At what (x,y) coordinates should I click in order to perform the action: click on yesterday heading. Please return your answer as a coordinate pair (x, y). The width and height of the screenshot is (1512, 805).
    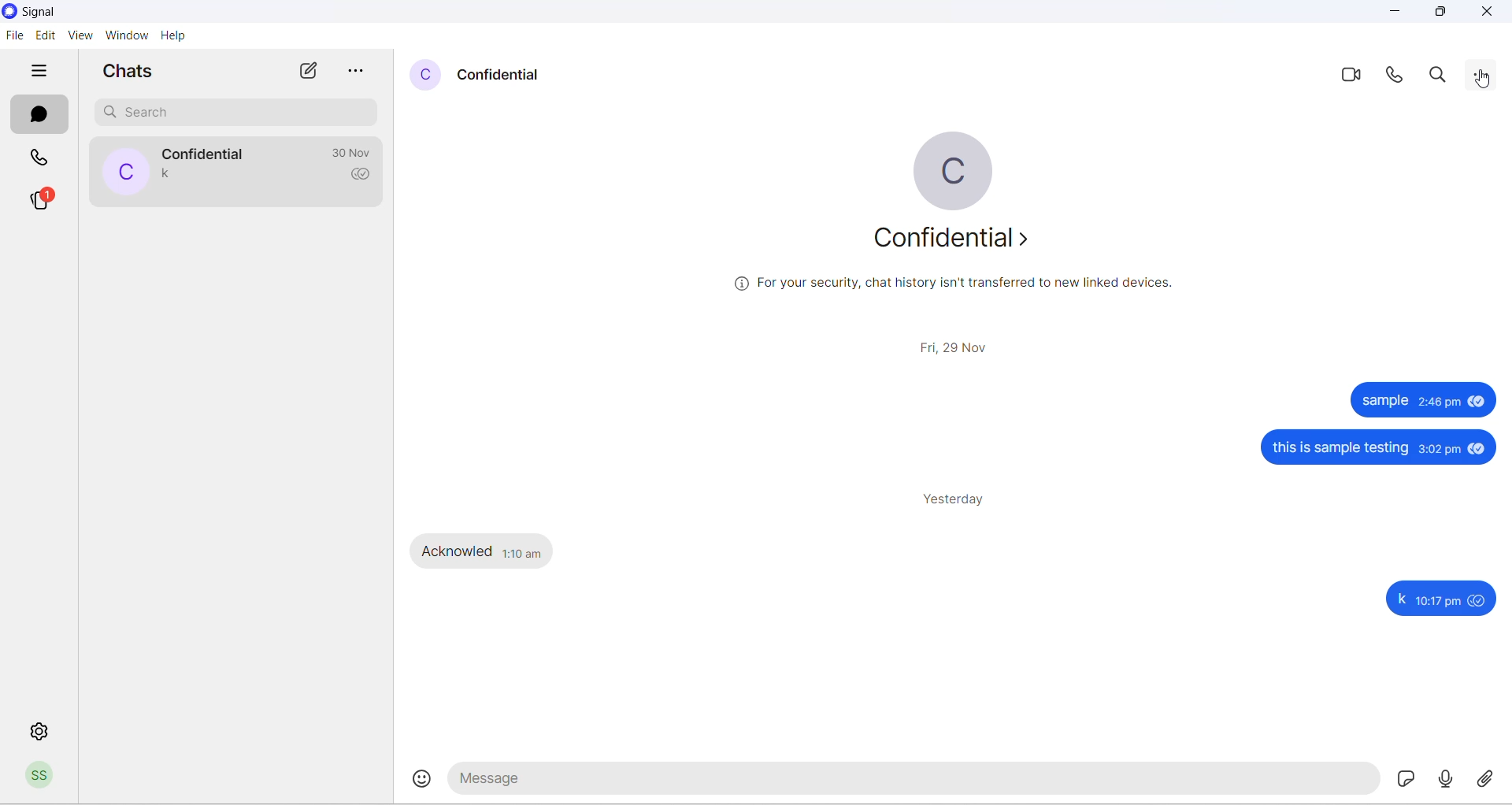
    Looking at the image, I should click on (961, 501).